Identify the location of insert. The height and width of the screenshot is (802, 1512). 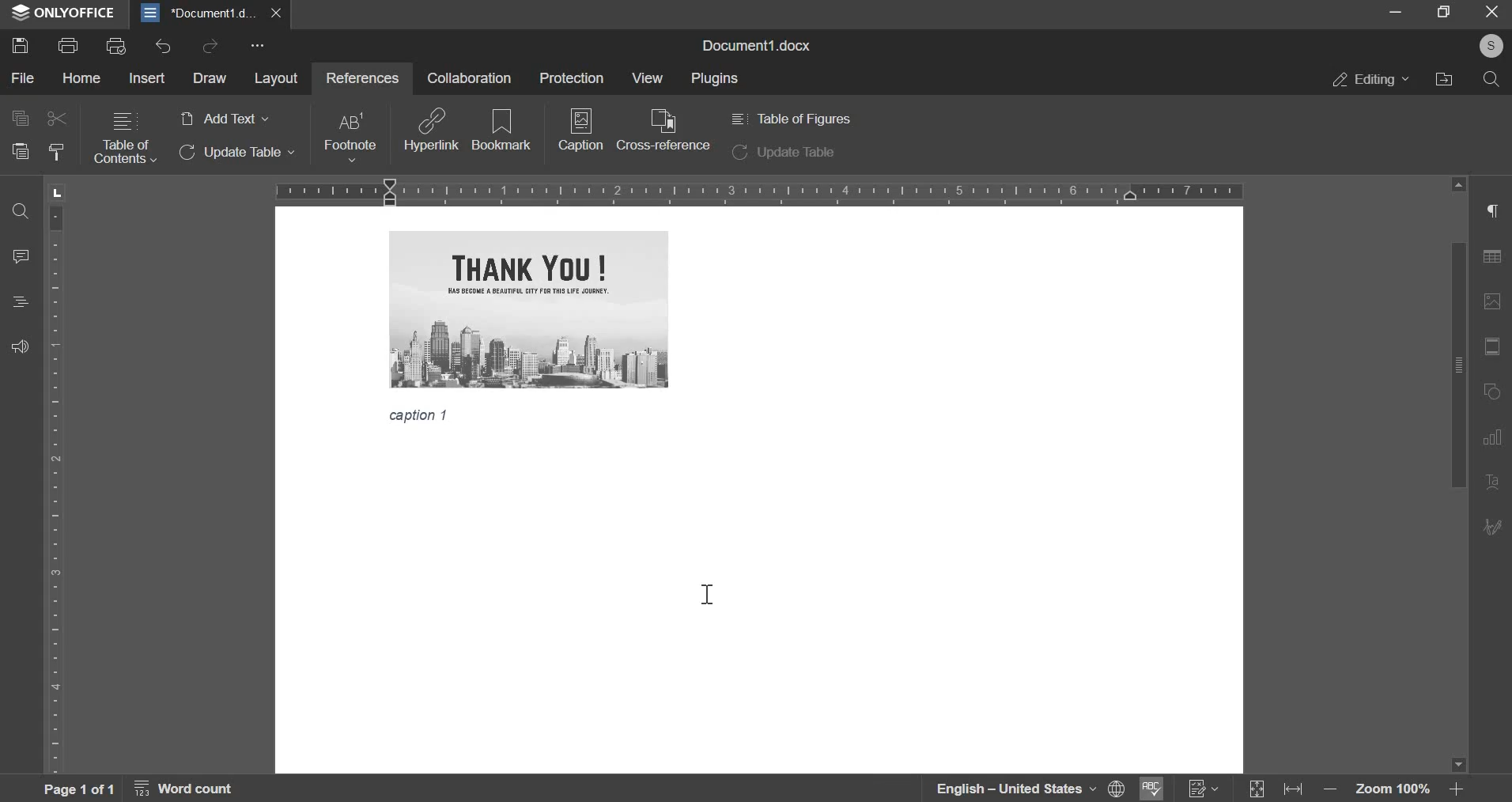
(149, 77).